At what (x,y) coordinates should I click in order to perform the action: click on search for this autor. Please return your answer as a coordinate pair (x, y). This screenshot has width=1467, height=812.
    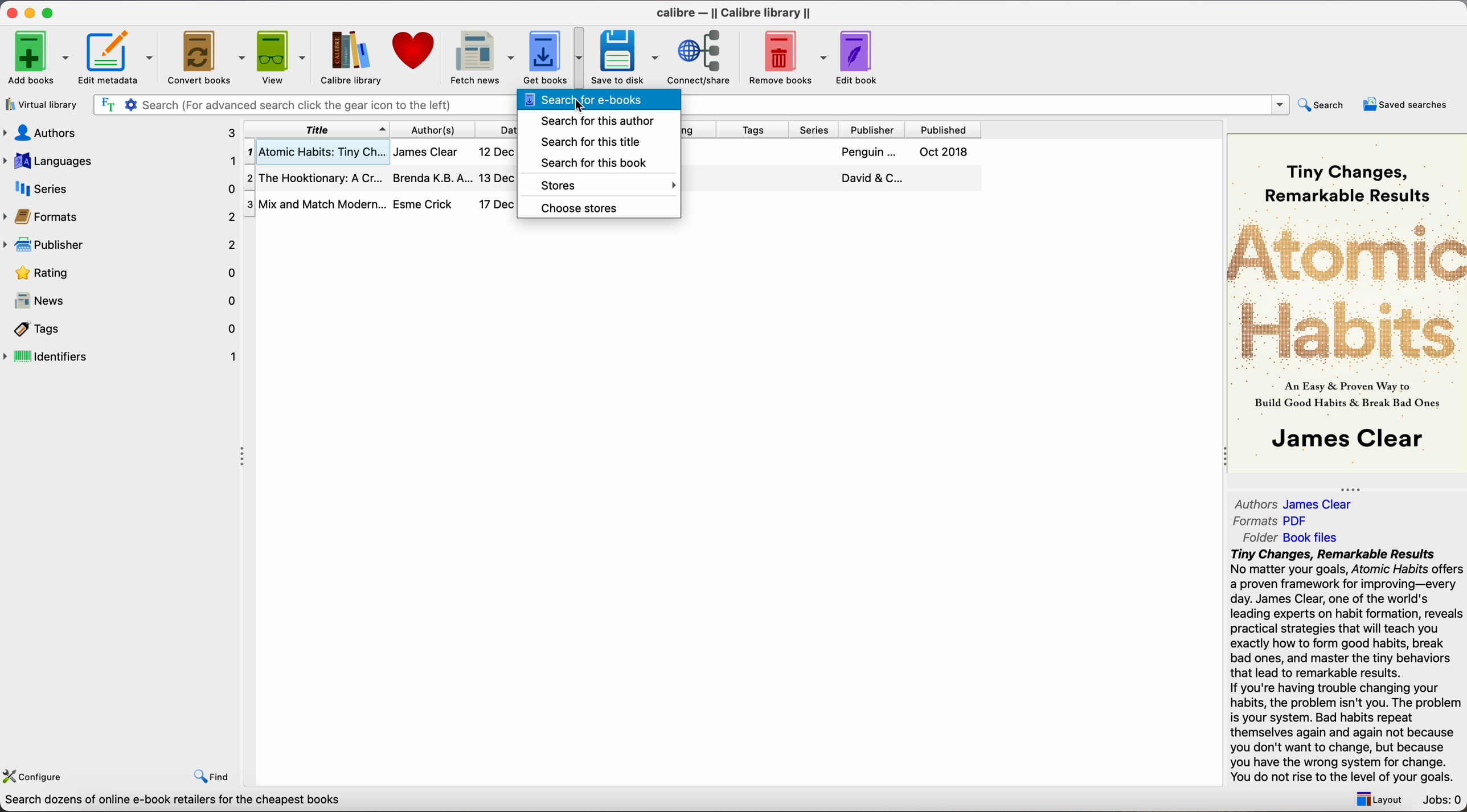
    Looking at the image, I should click on (593, 121).